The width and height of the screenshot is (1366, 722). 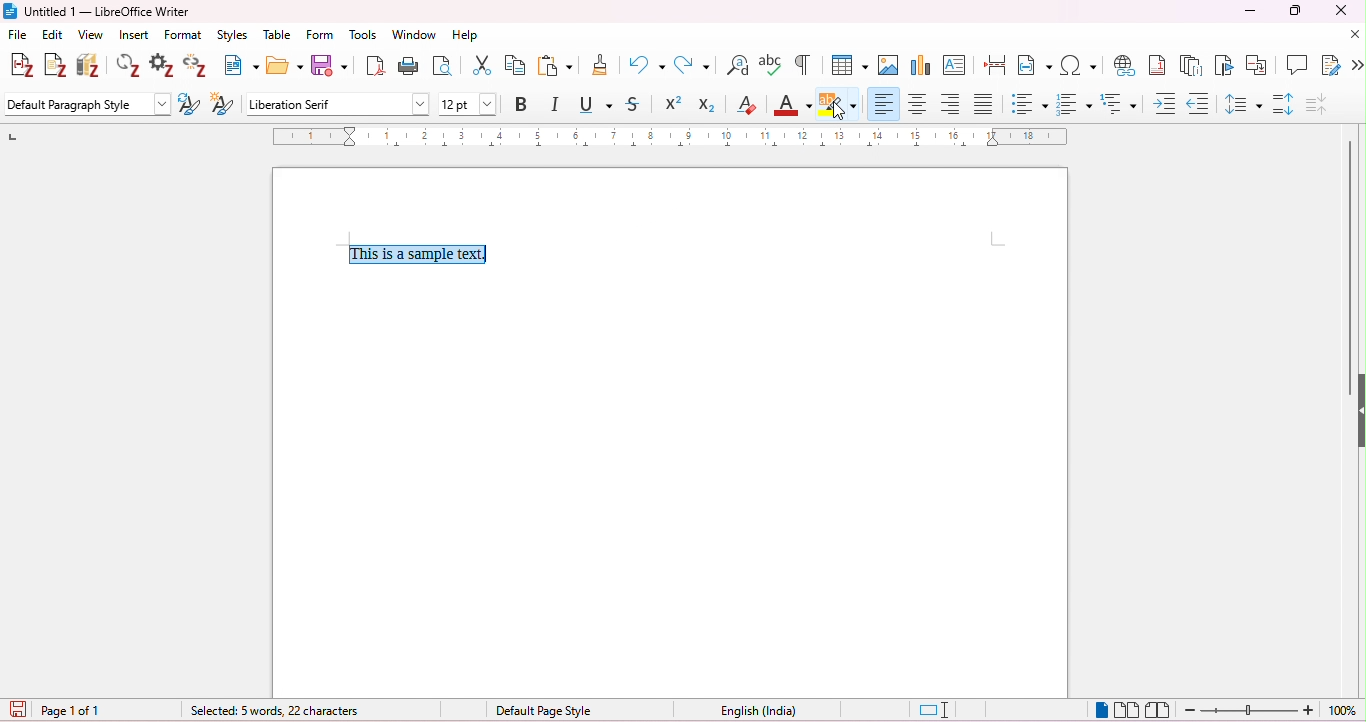 I want to click on toggle formatting marks, so click(x=803, y=63).